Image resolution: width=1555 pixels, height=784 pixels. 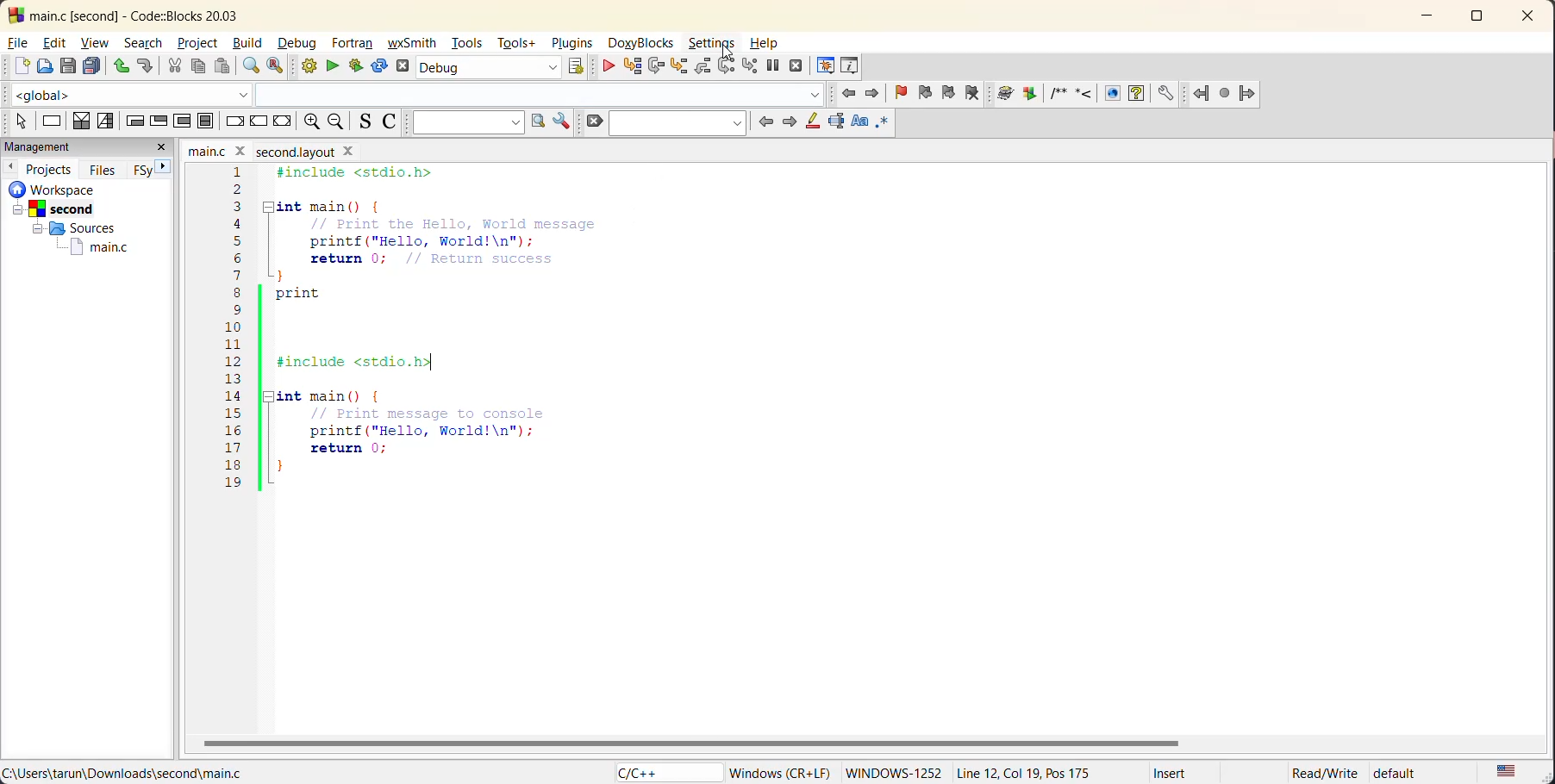 I want to click on exit condition loop, so click(x=158, y=120).